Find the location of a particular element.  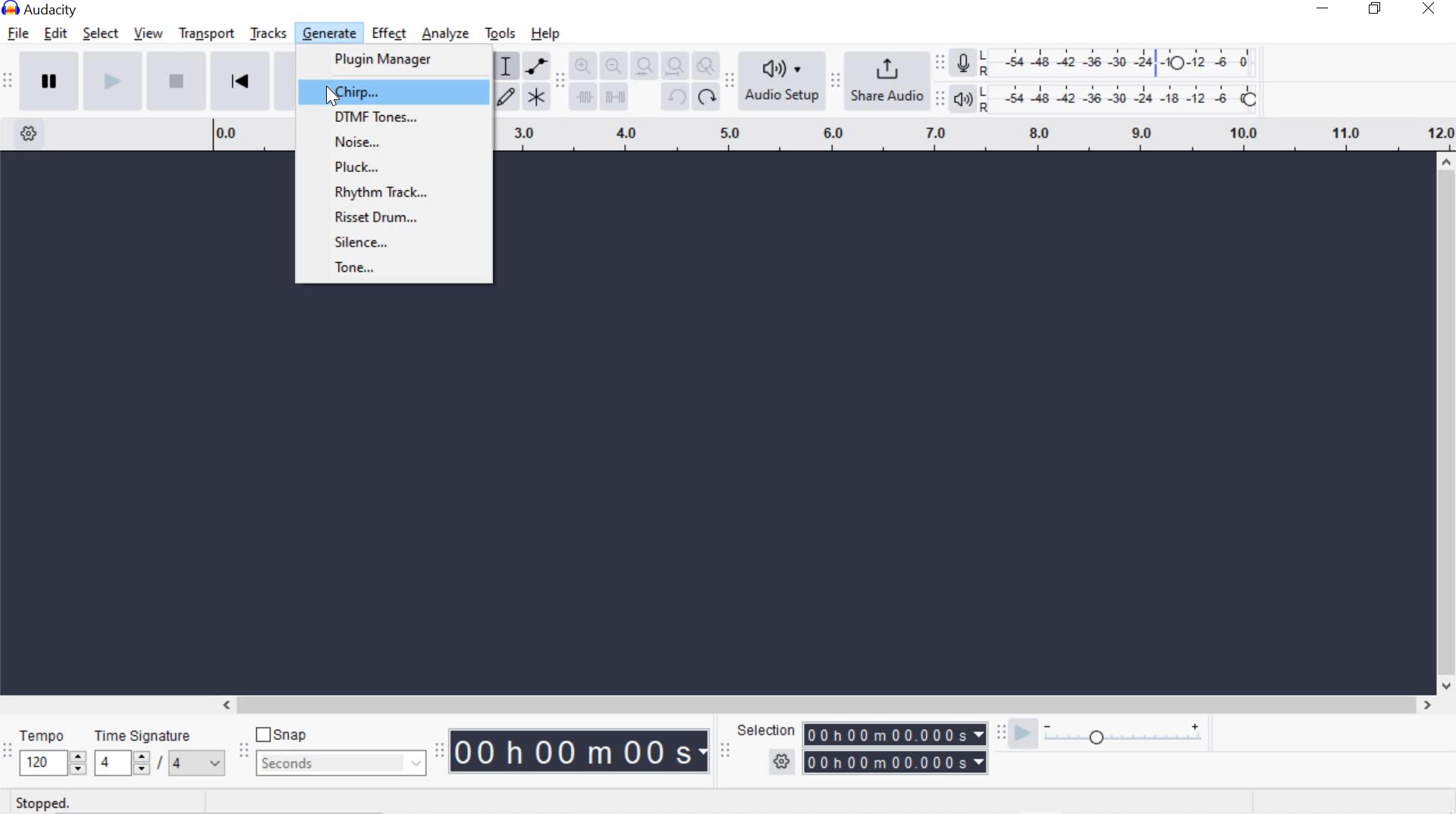

redo is located at coordinates (706, 96).